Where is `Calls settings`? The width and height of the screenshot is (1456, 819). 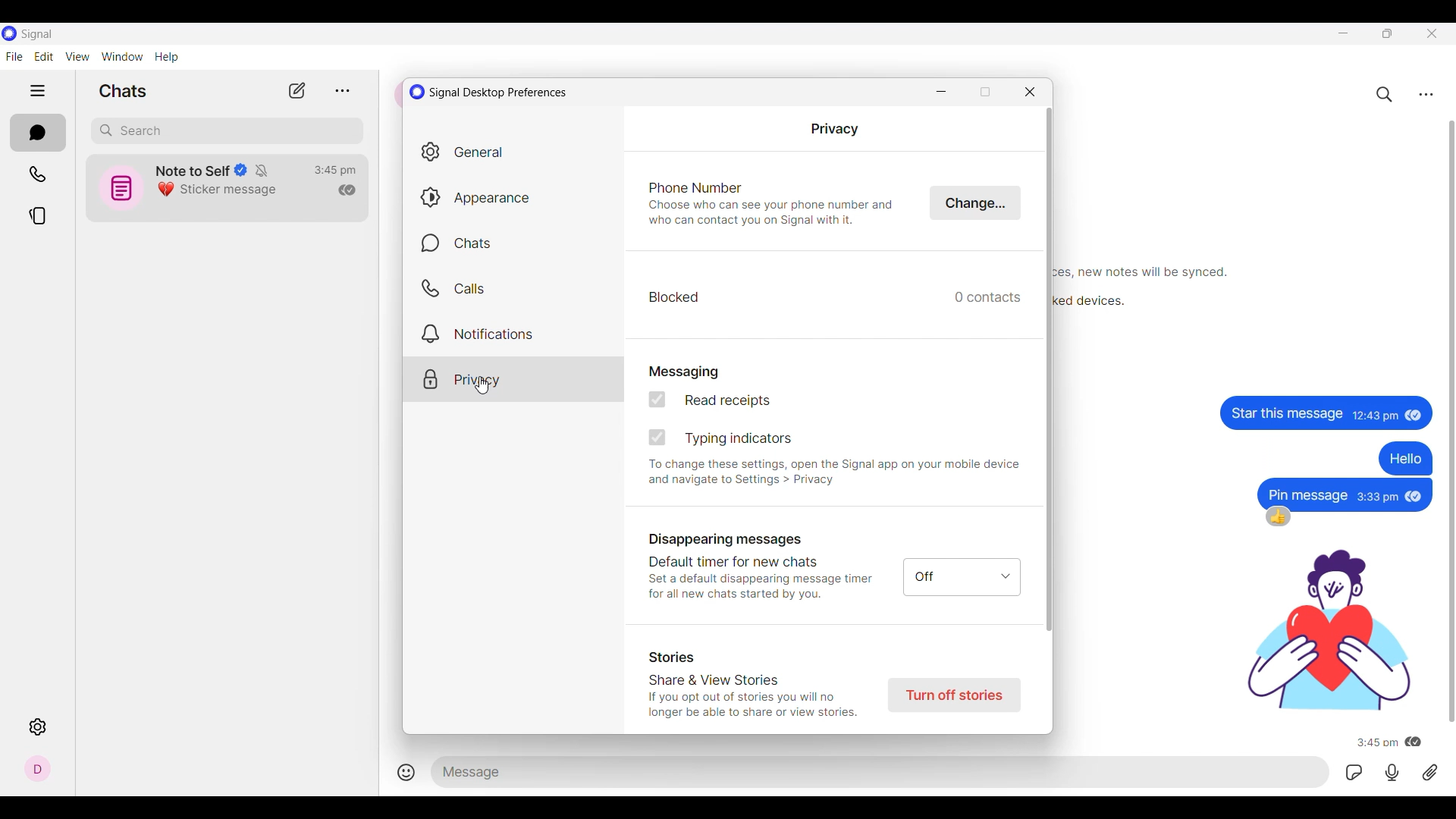 Calls settings is located at coordinates (514, 288).